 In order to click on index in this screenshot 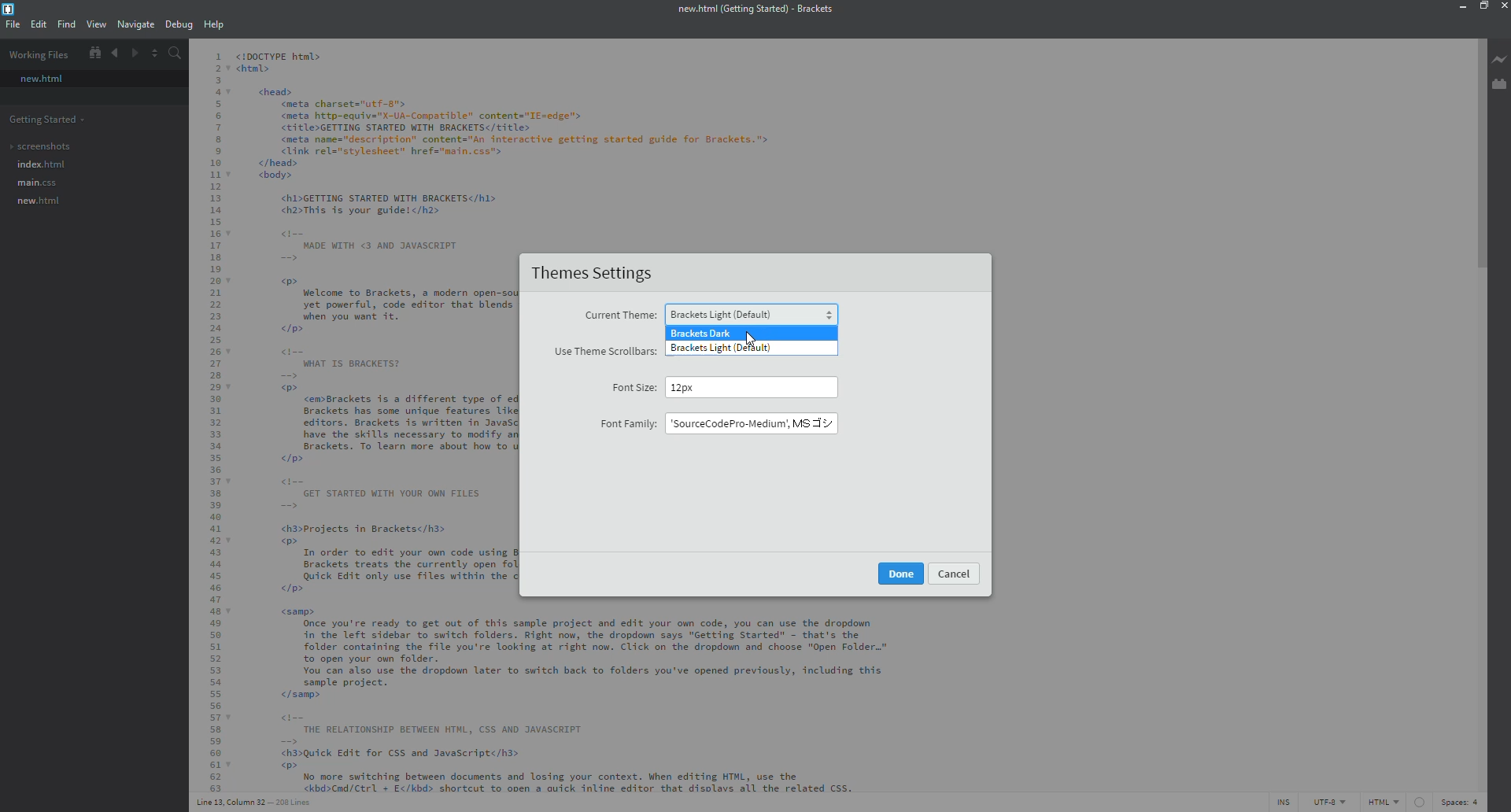, I will do `click(39, 164)`.